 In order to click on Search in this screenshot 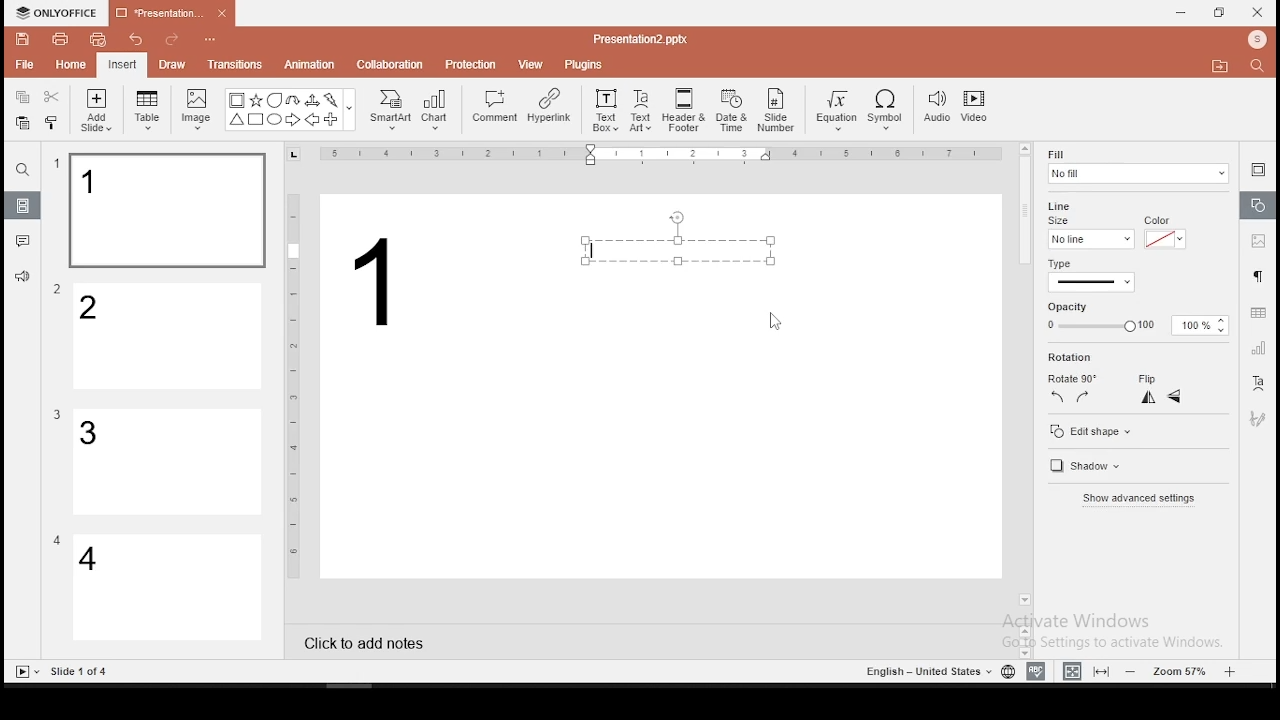, I will do `click(1263, 67)`.